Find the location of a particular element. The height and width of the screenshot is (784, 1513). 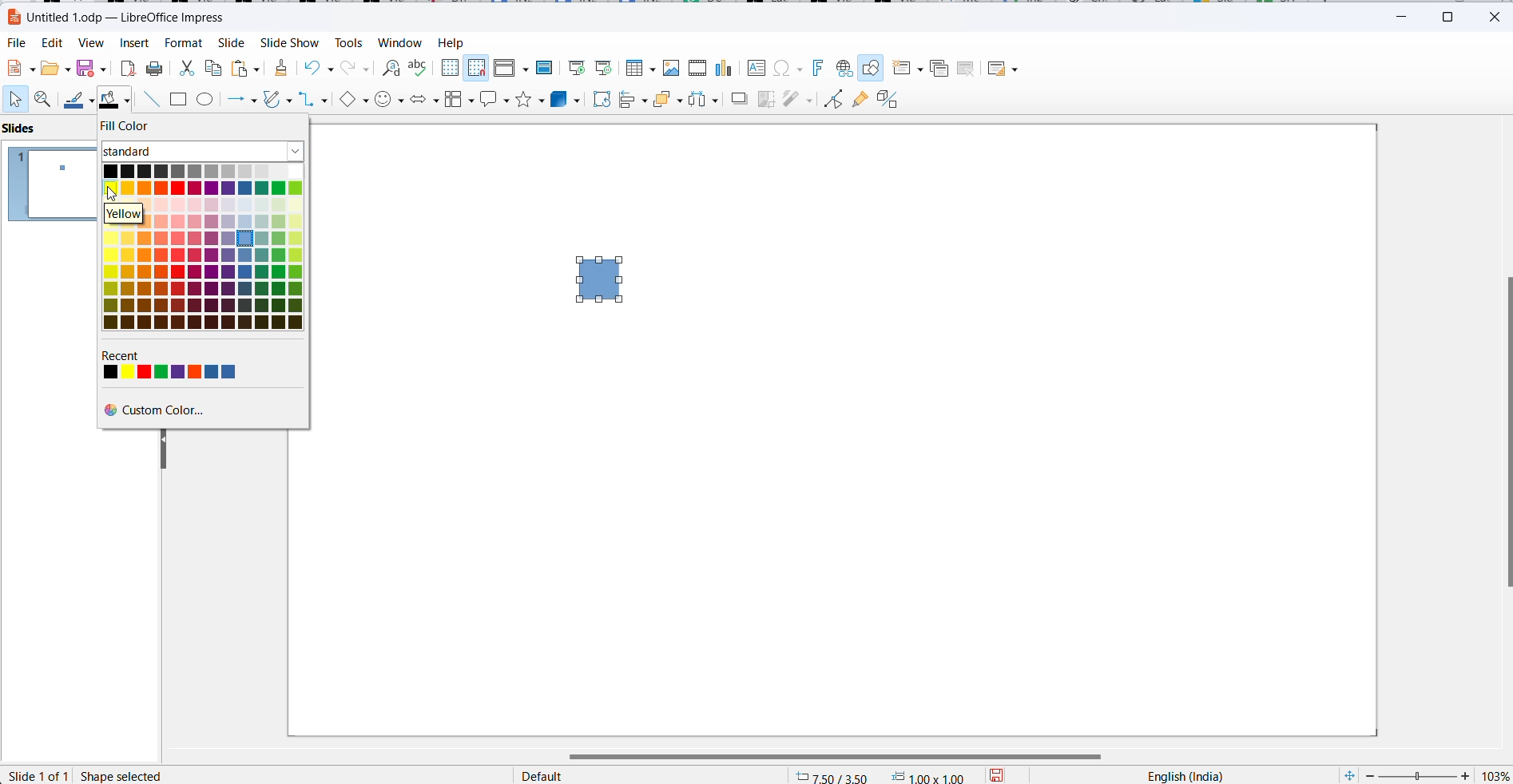

Window is located at coordinates (400, 44).